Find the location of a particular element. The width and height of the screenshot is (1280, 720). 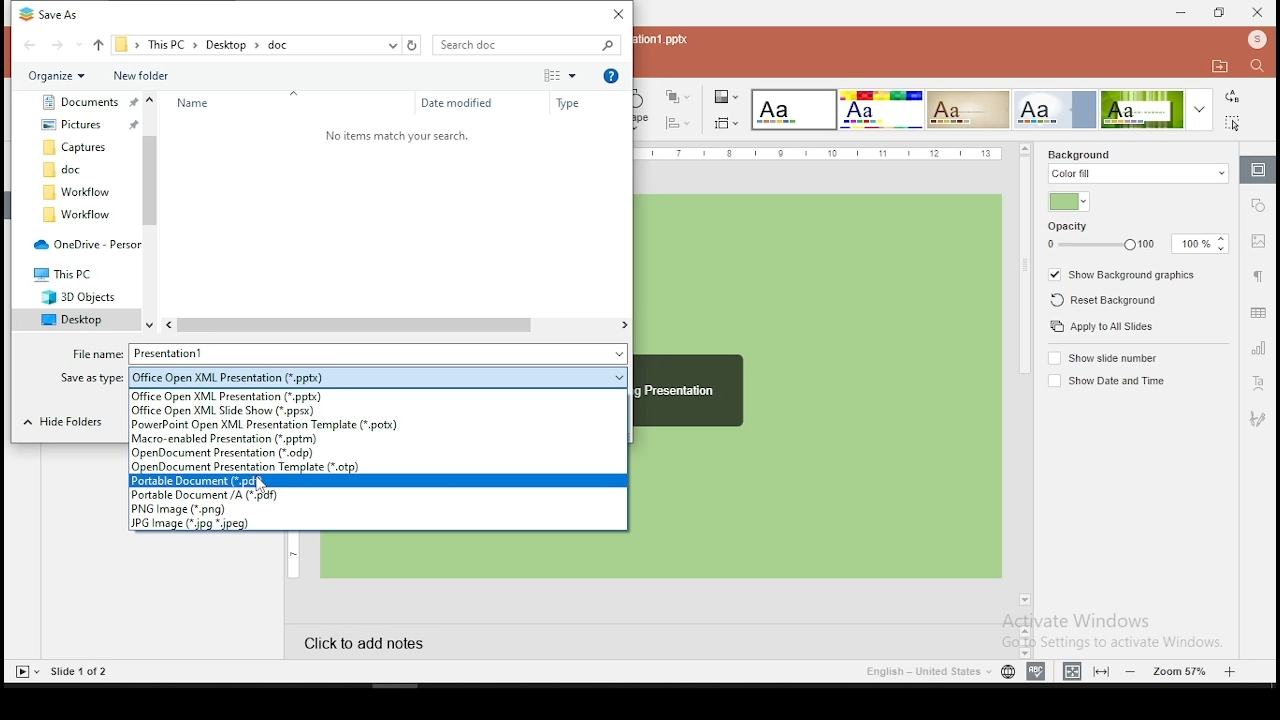

align shapes is located at coordinates (679, 123).